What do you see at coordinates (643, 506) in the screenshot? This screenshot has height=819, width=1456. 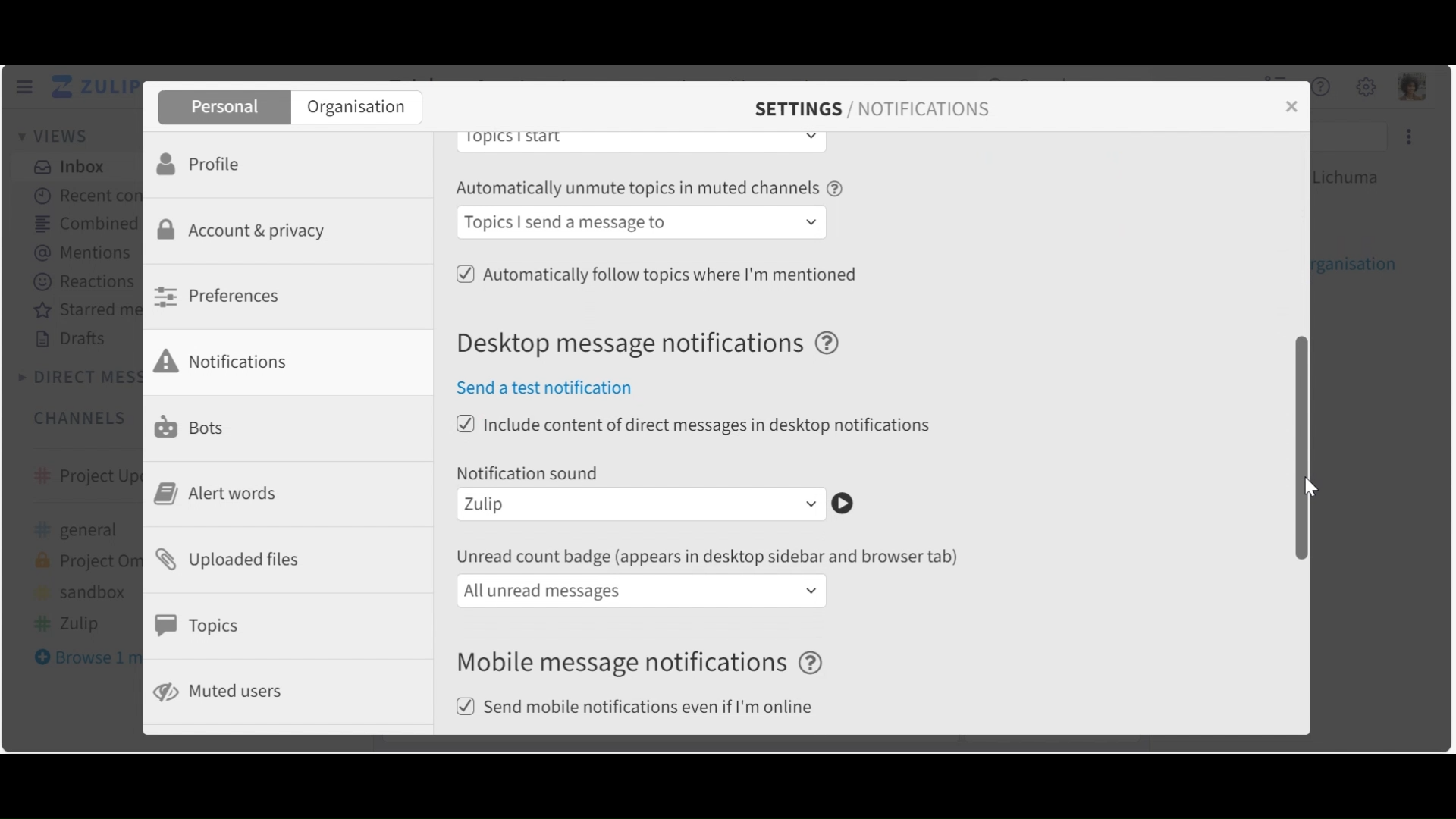 I see `Notification sound dropdown menu` at bounding box center [643, 506].